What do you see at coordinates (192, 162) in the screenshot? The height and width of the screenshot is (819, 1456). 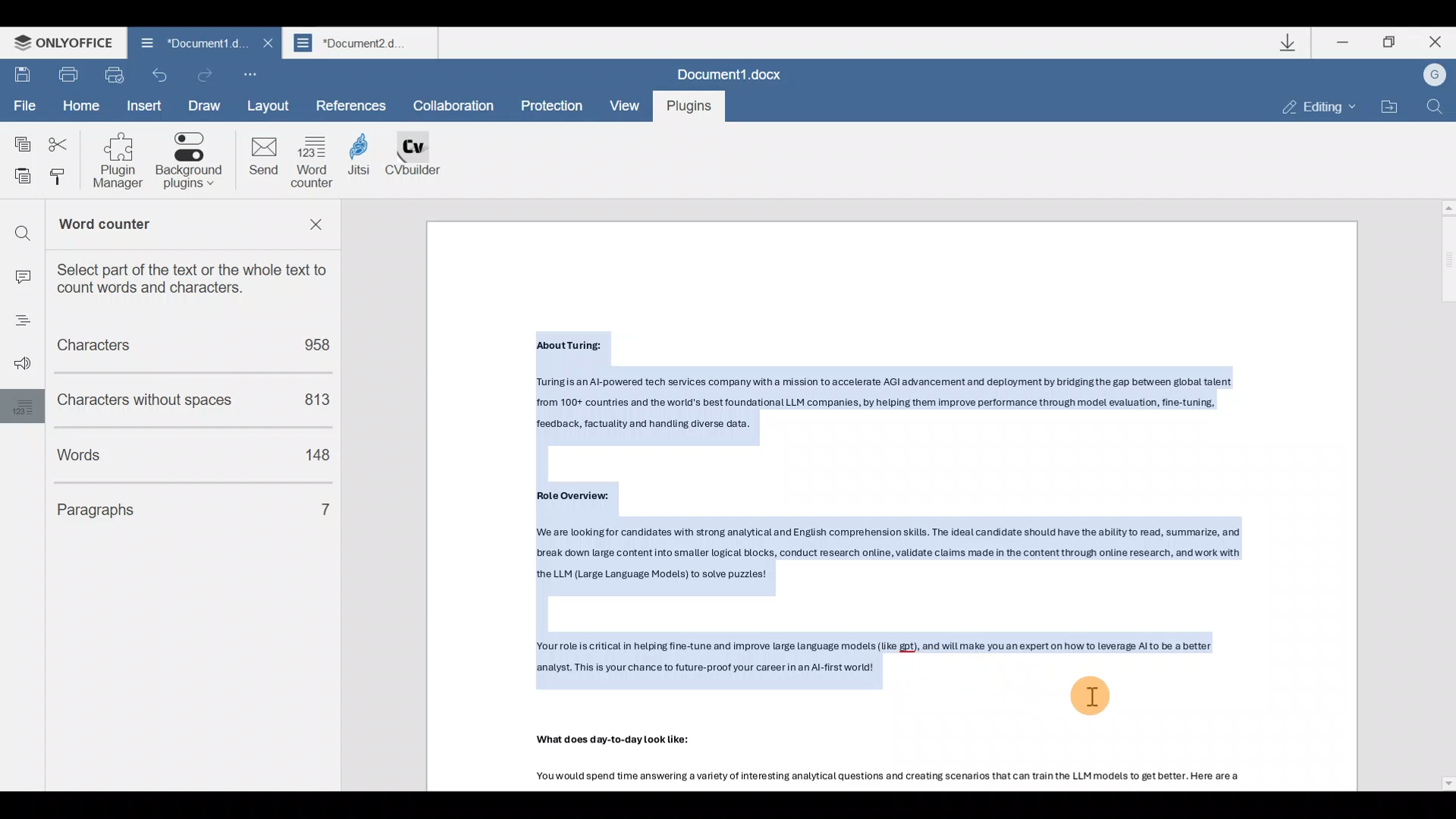 I see `Background plugins` at bounding box center [192, 162].